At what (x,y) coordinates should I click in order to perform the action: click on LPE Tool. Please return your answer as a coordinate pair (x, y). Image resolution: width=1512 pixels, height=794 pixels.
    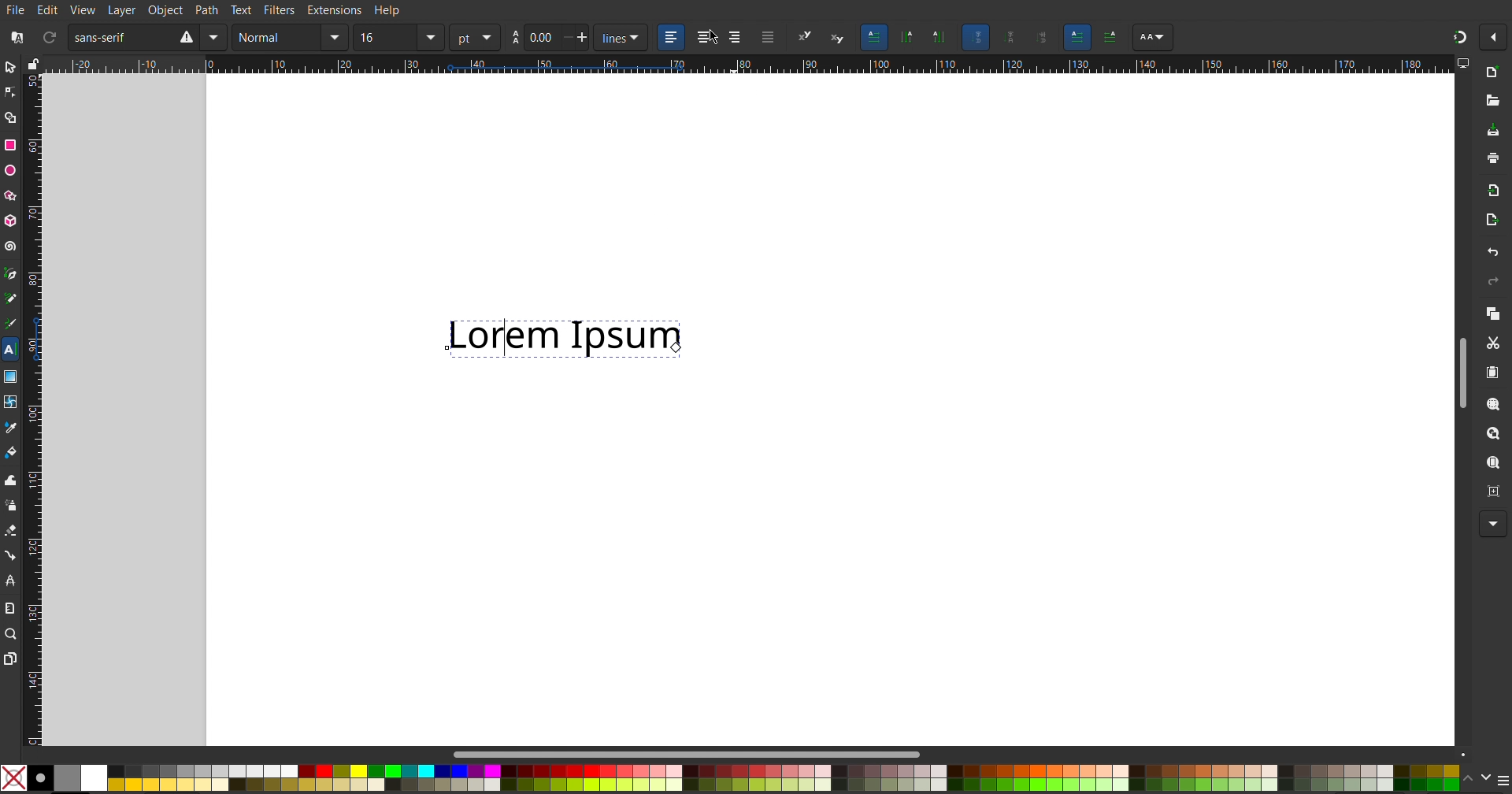
    Looking at the image, I should click on (13, 581).